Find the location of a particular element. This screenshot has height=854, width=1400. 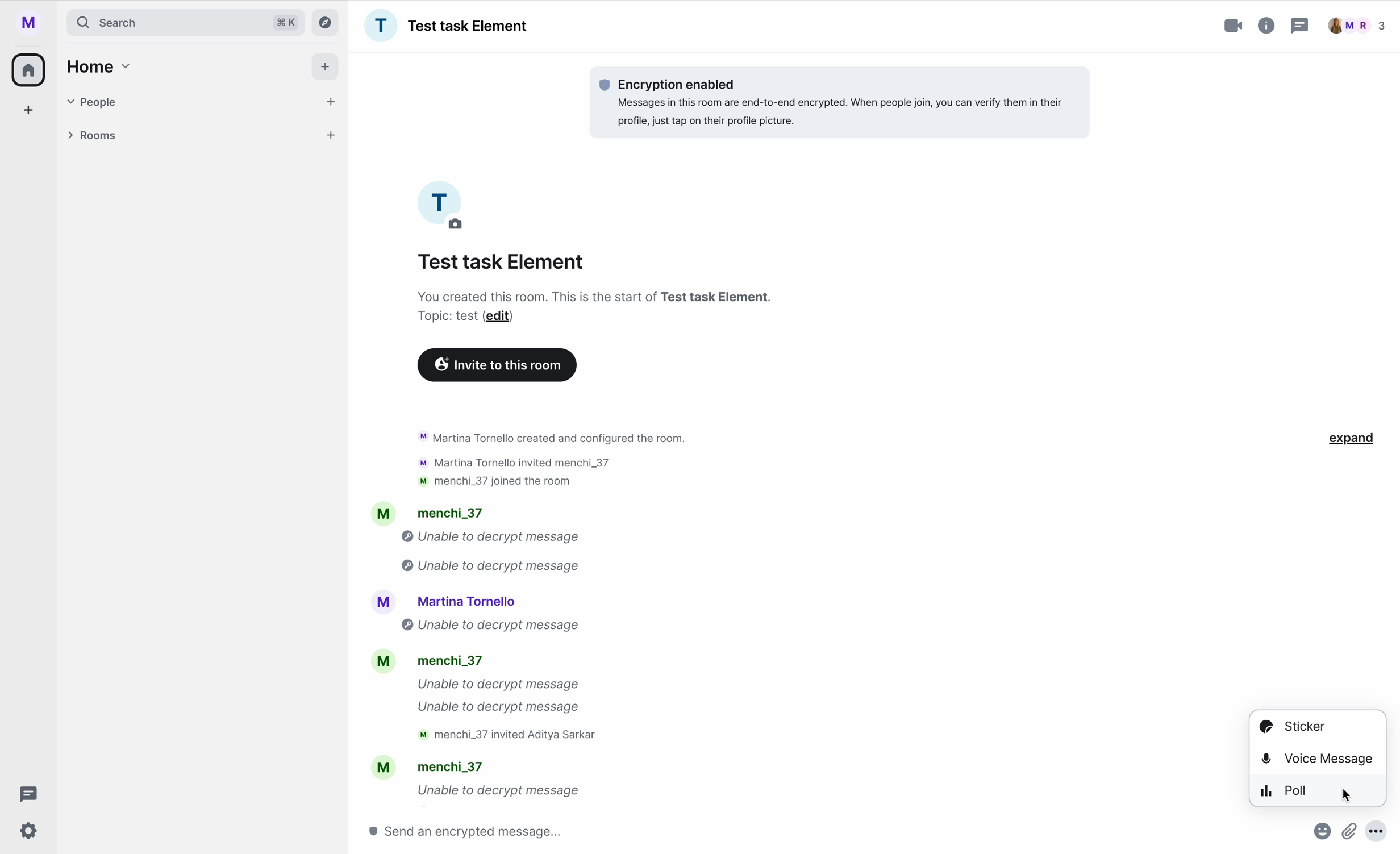

threads is located at coordinates (25, 794).